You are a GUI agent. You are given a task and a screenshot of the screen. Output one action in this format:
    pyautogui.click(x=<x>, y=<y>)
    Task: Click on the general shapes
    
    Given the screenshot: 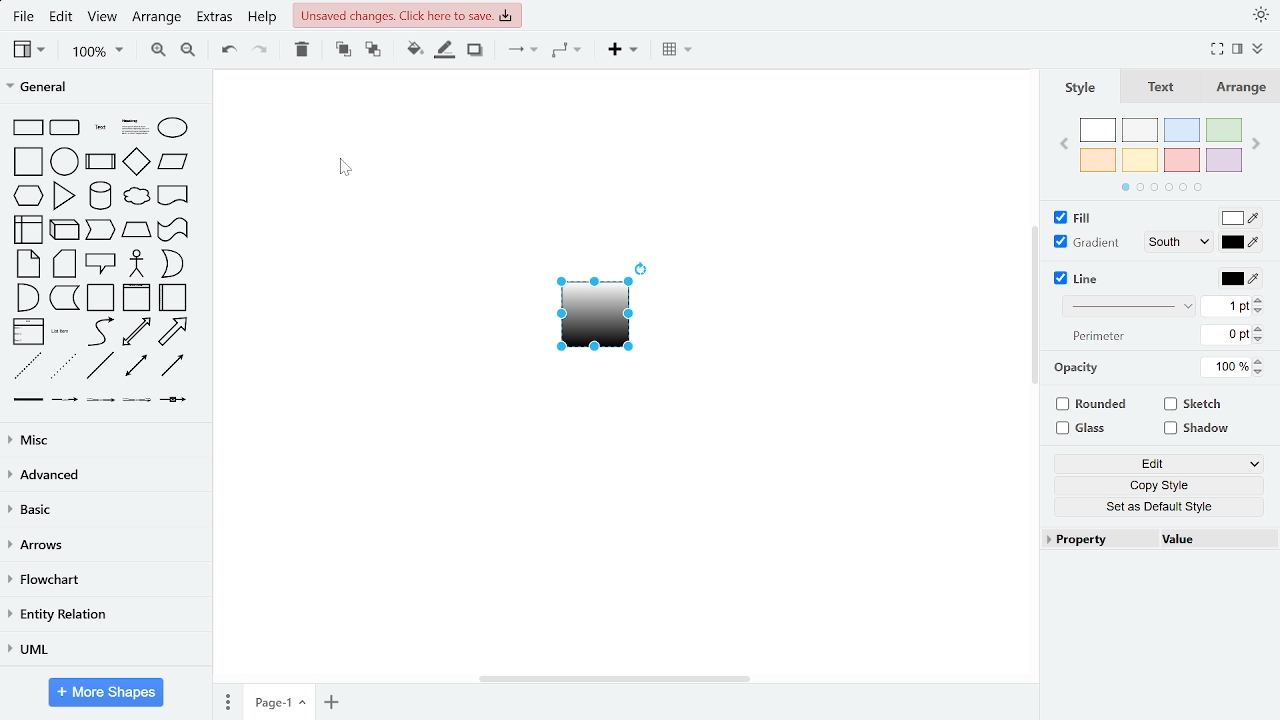 What is the action you would take?
    pyautogui.click(x=136, y=331)
    